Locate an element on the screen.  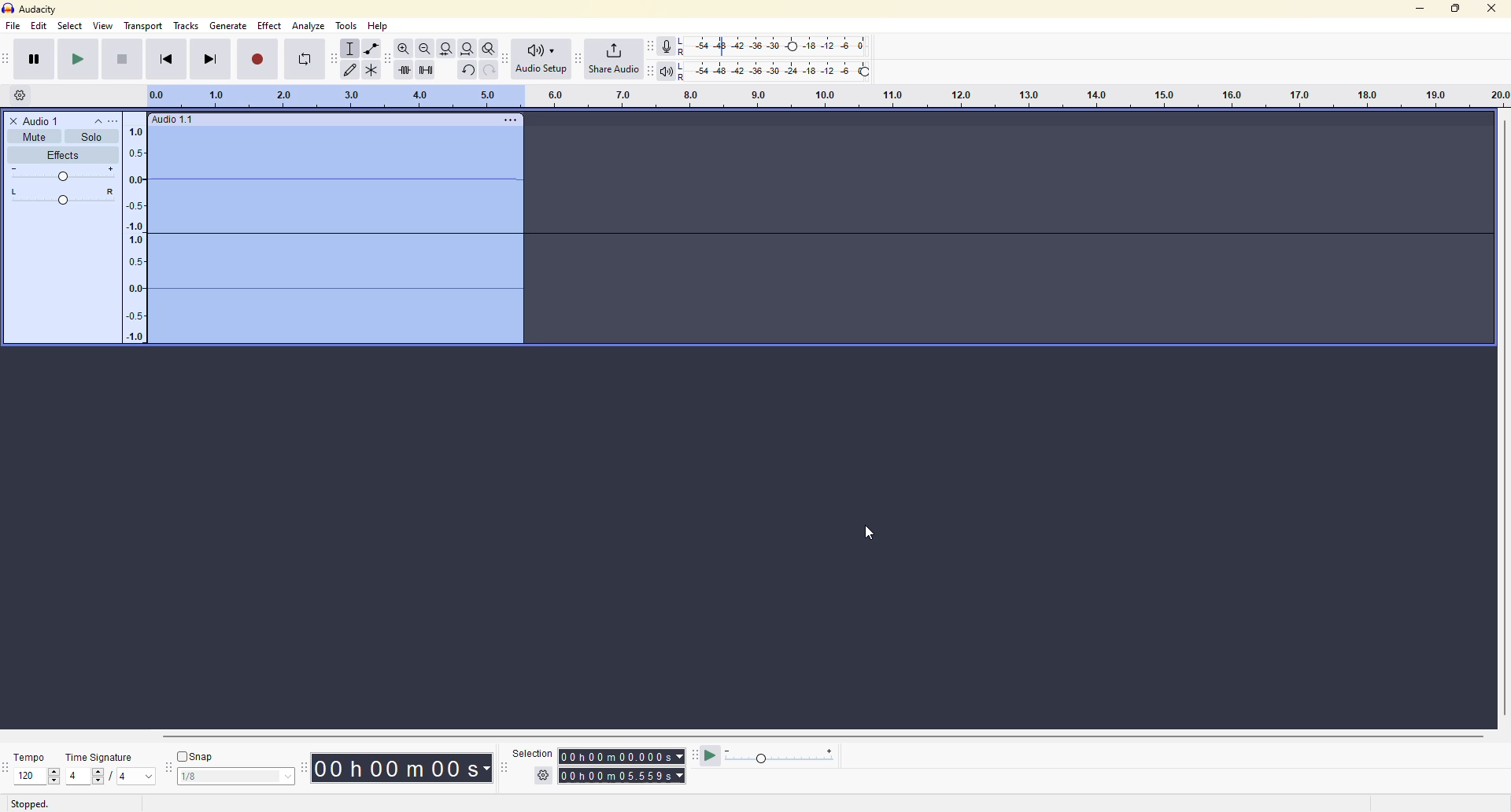
scroll bar is located at coordinates (804, 736).